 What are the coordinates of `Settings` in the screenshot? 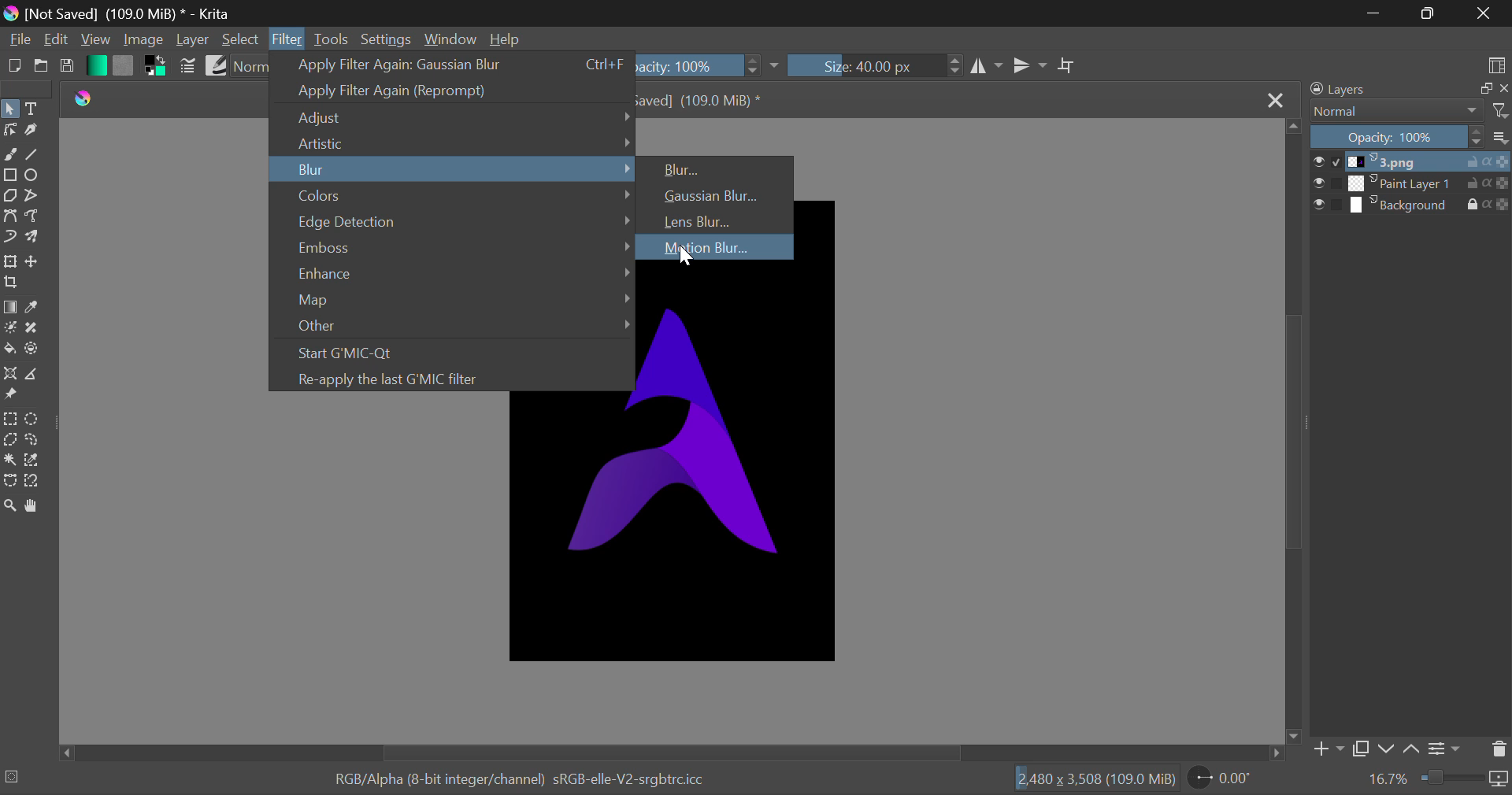 It's located at (1447, 747).